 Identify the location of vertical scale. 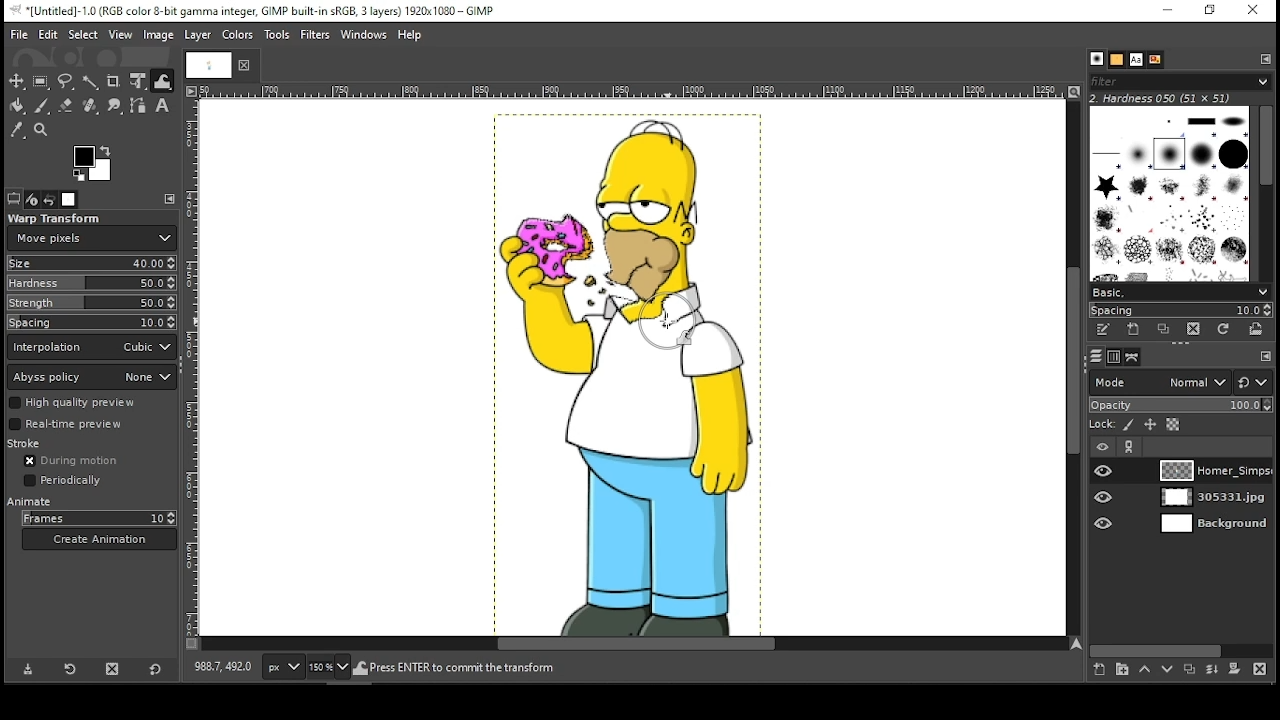
(191, 368).